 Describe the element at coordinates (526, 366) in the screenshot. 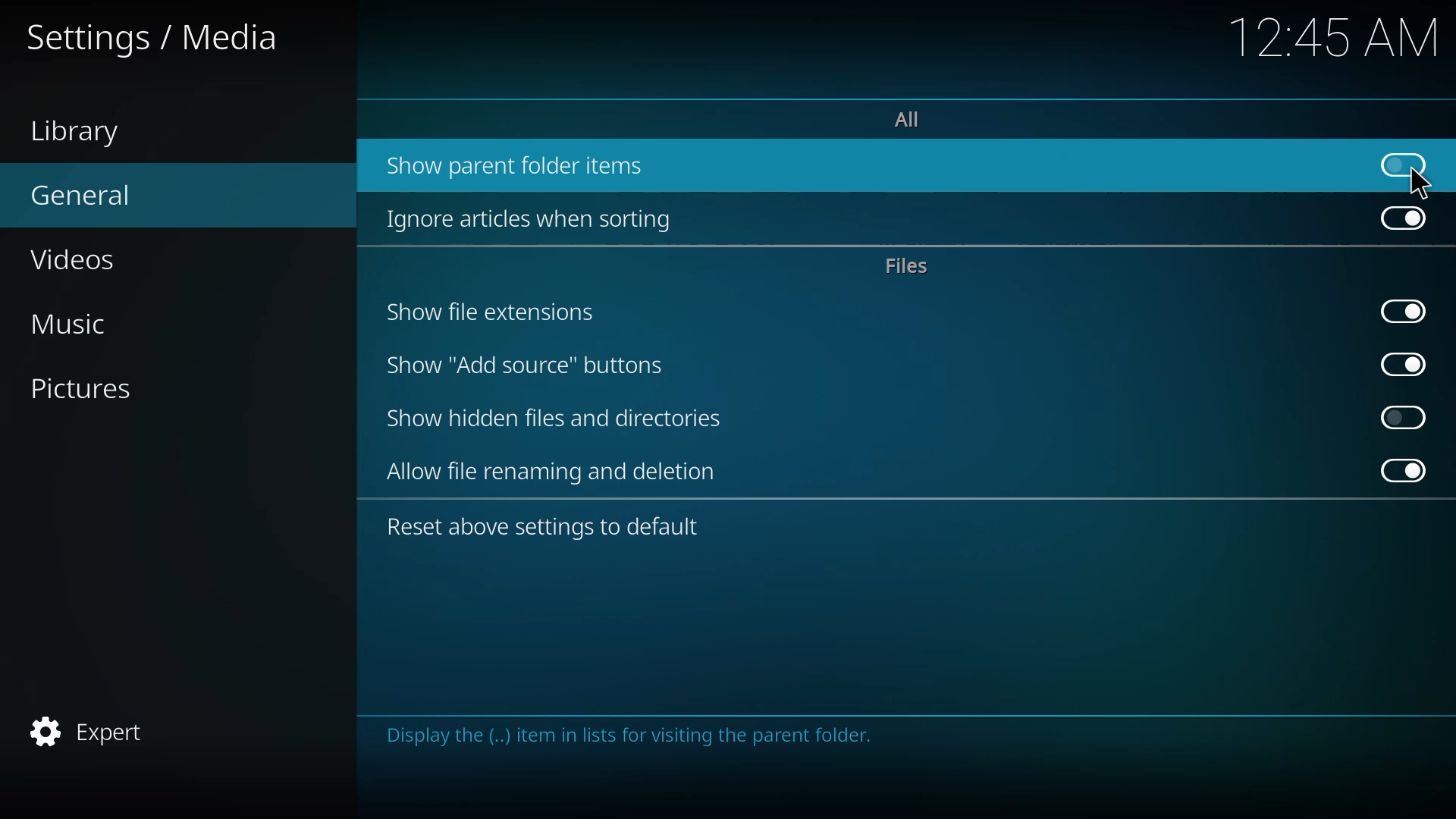

I see `show add source button` at that location.